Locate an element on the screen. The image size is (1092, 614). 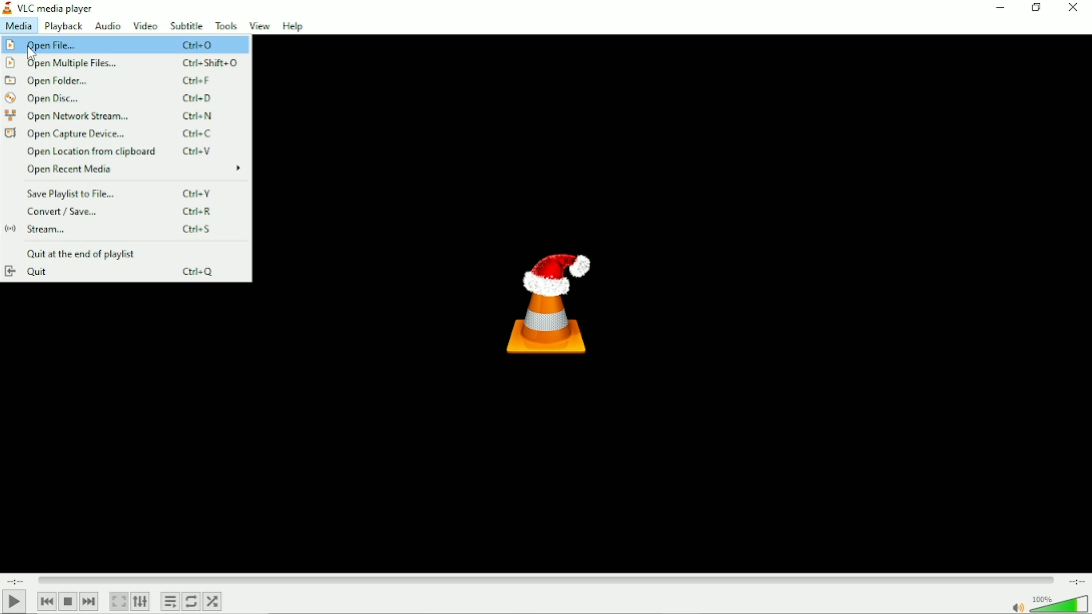
Minimize is located at coordinates (999, 8).